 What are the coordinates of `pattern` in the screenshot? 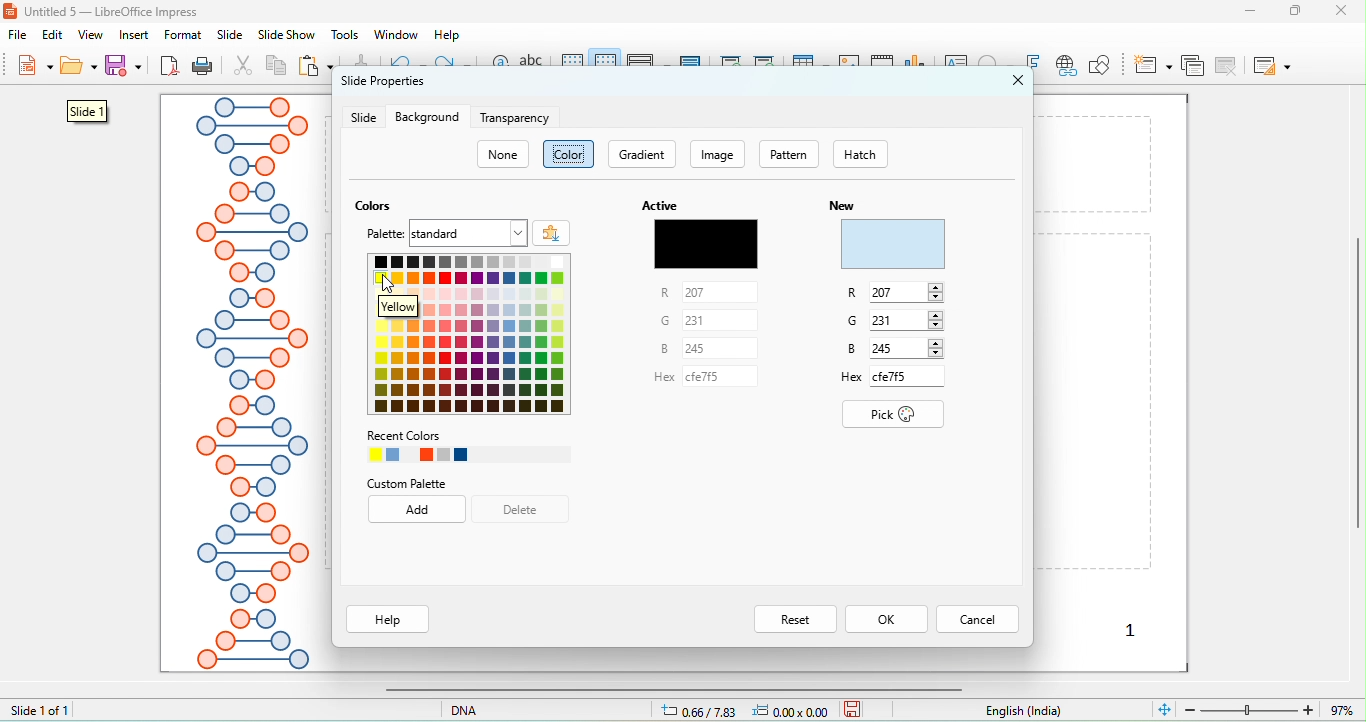 It's located at (789, 155).